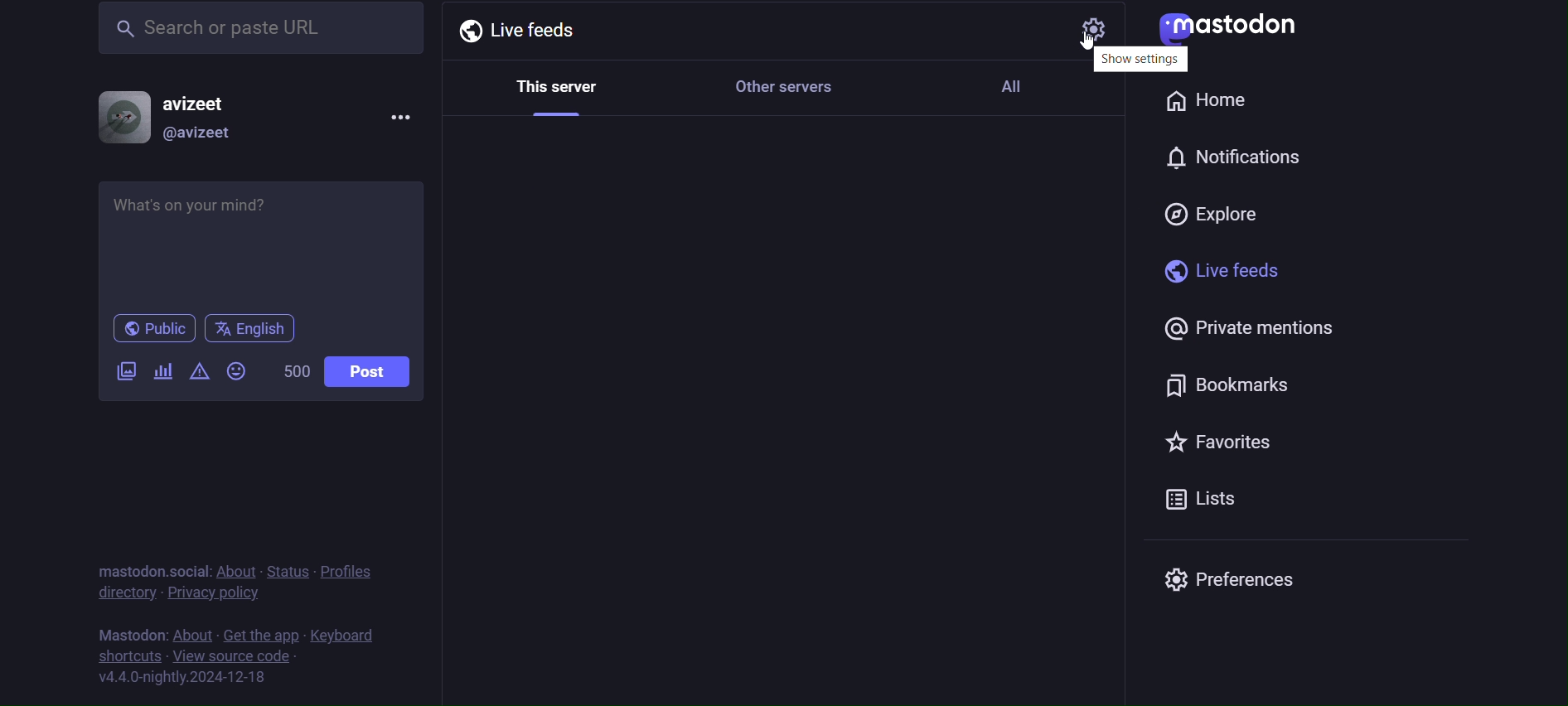  What do you see at coordinates (1260, 332) in the screenshot?
I see `private mentions` at bounding box center [1260, 332].